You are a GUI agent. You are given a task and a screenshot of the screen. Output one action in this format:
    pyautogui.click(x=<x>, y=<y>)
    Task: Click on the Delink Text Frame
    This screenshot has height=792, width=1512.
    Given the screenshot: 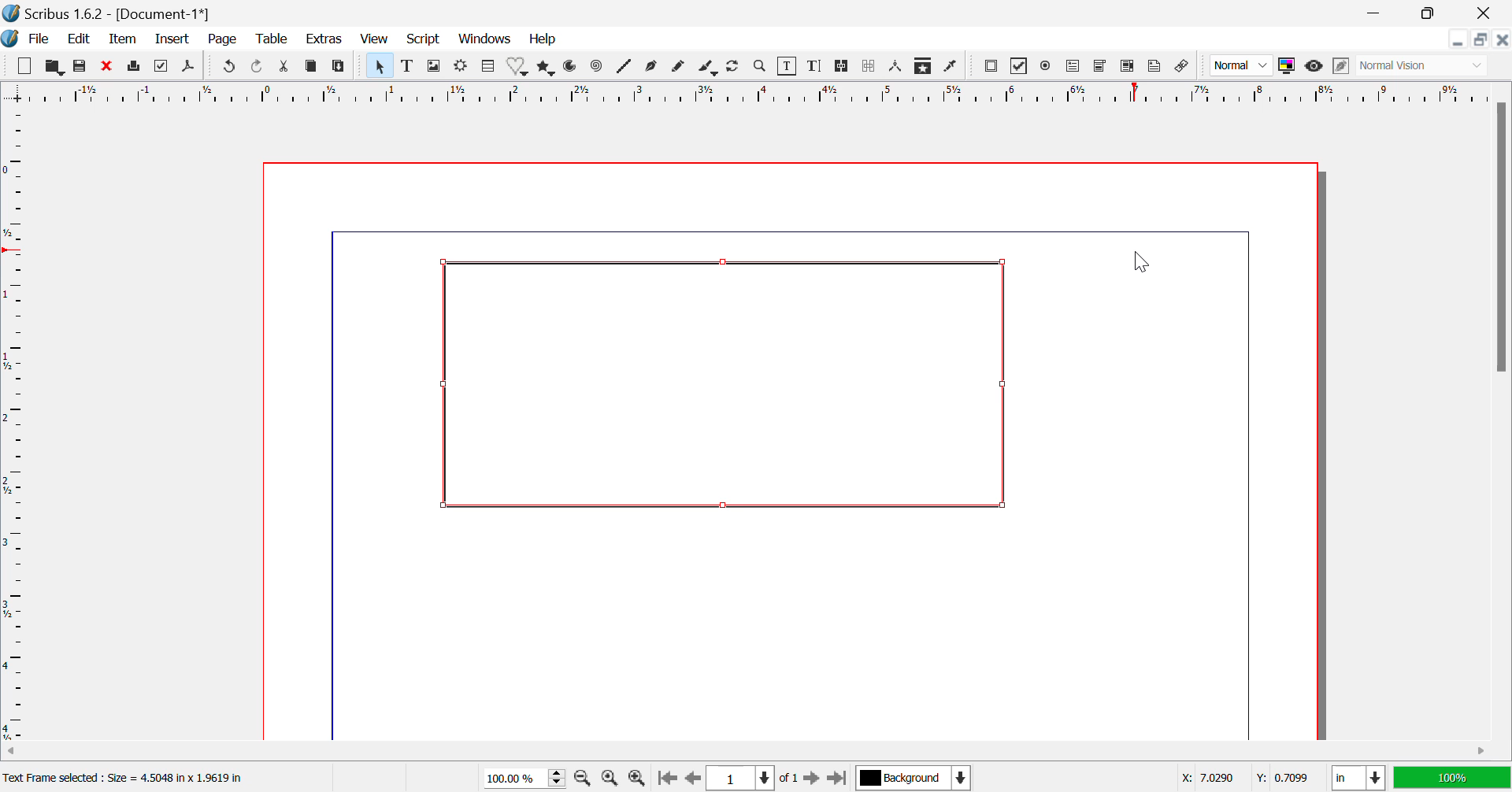 What is the action you would take?
    pyautogui.click(x=869, y=68)
    